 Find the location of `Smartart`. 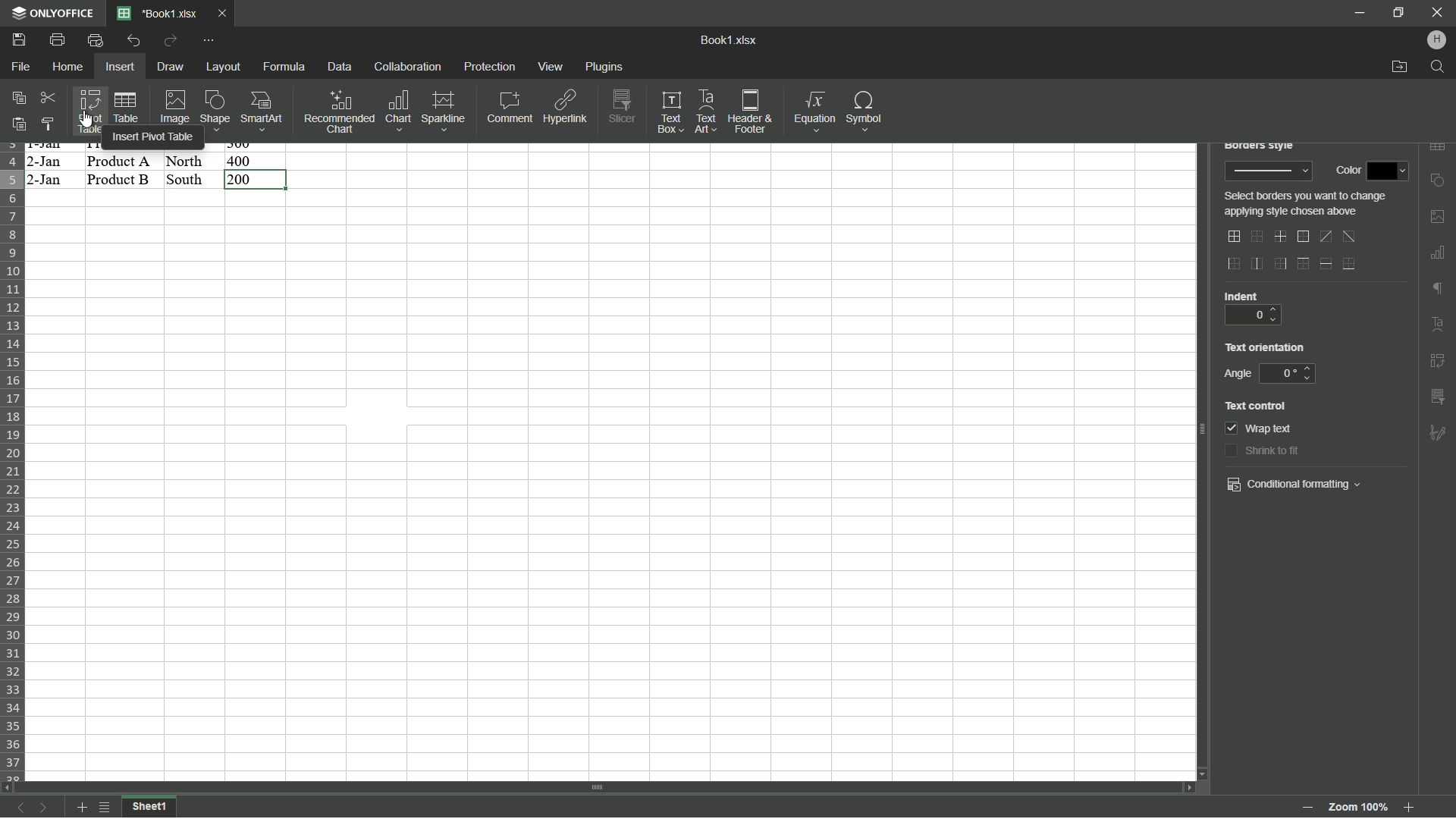

Smartart is located at coordinates (264, 112).